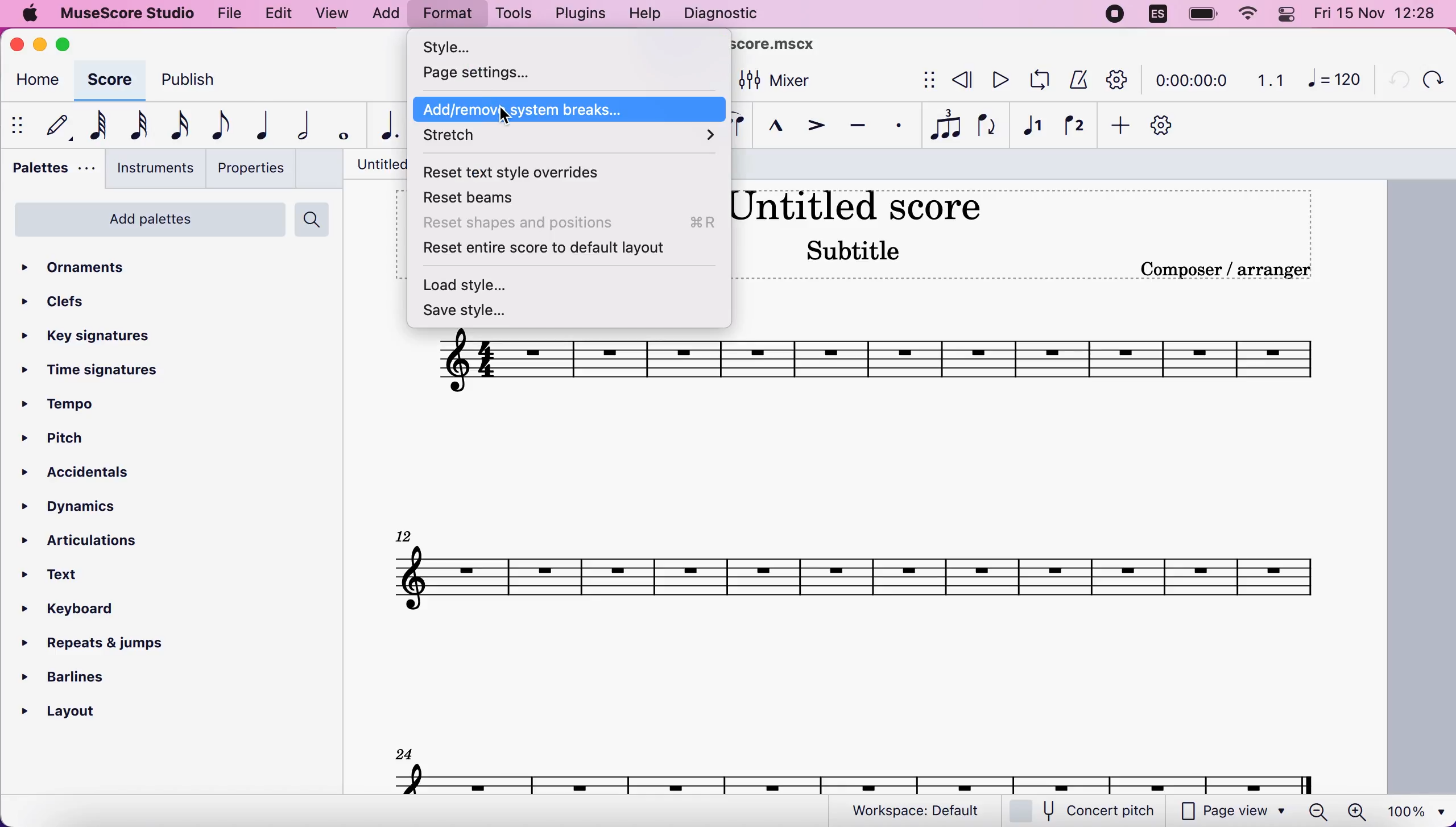  I want to click on 16th note, so click(177, 126).